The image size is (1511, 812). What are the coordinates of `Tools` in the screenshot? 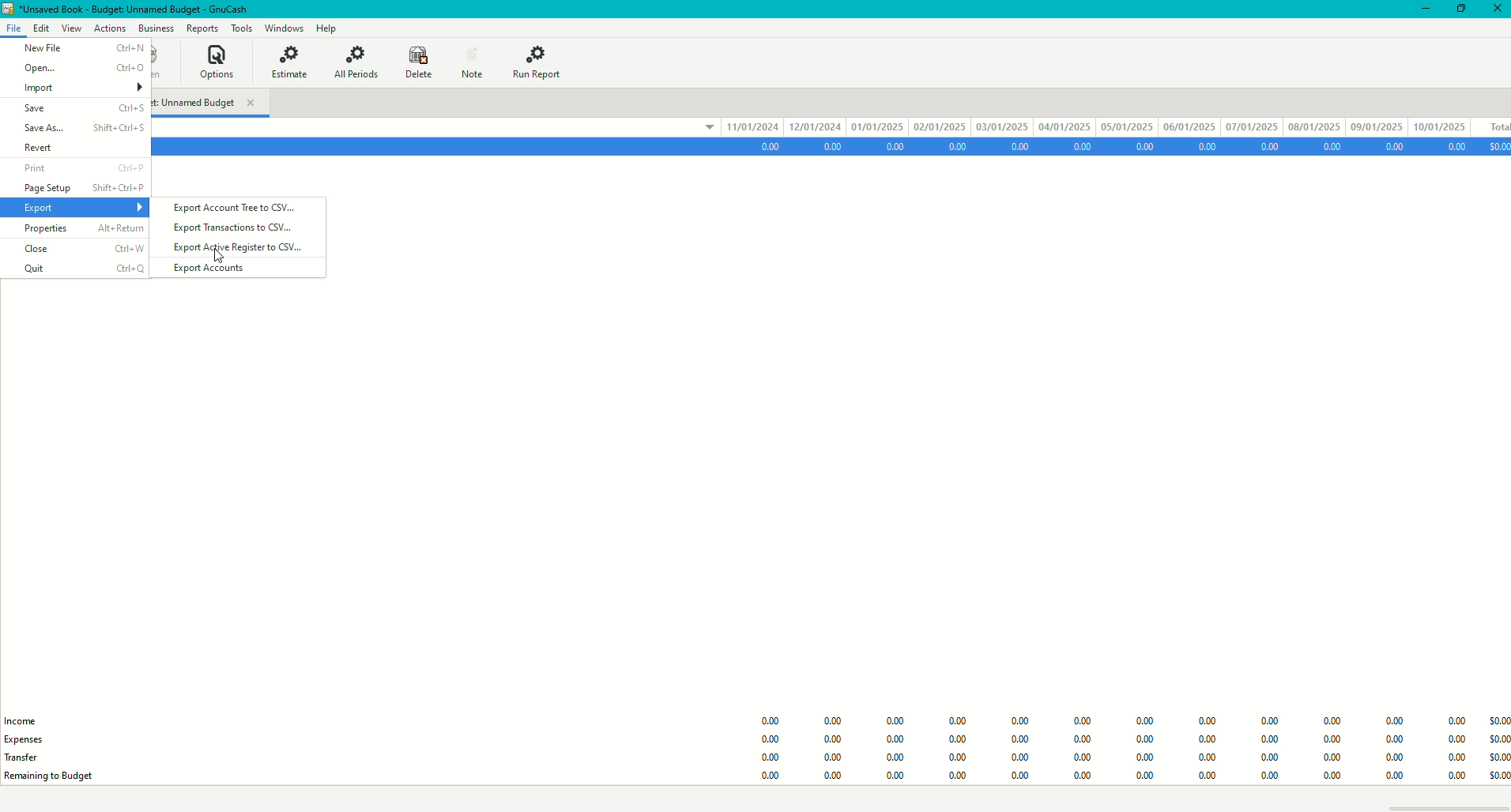 It's located at (238, 26).